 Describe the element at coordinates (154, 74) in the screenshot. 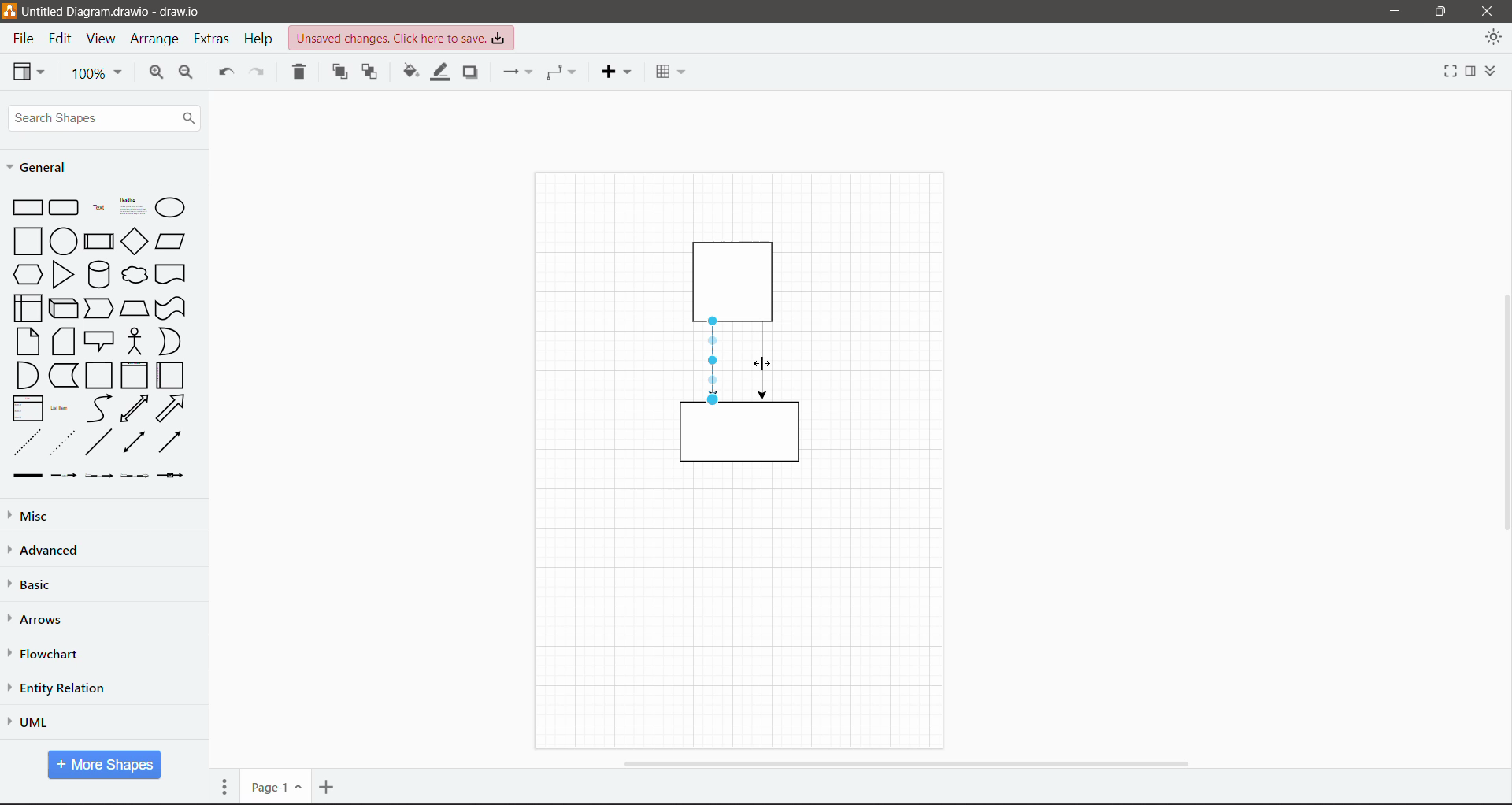

I see `Zoom In` at that location.